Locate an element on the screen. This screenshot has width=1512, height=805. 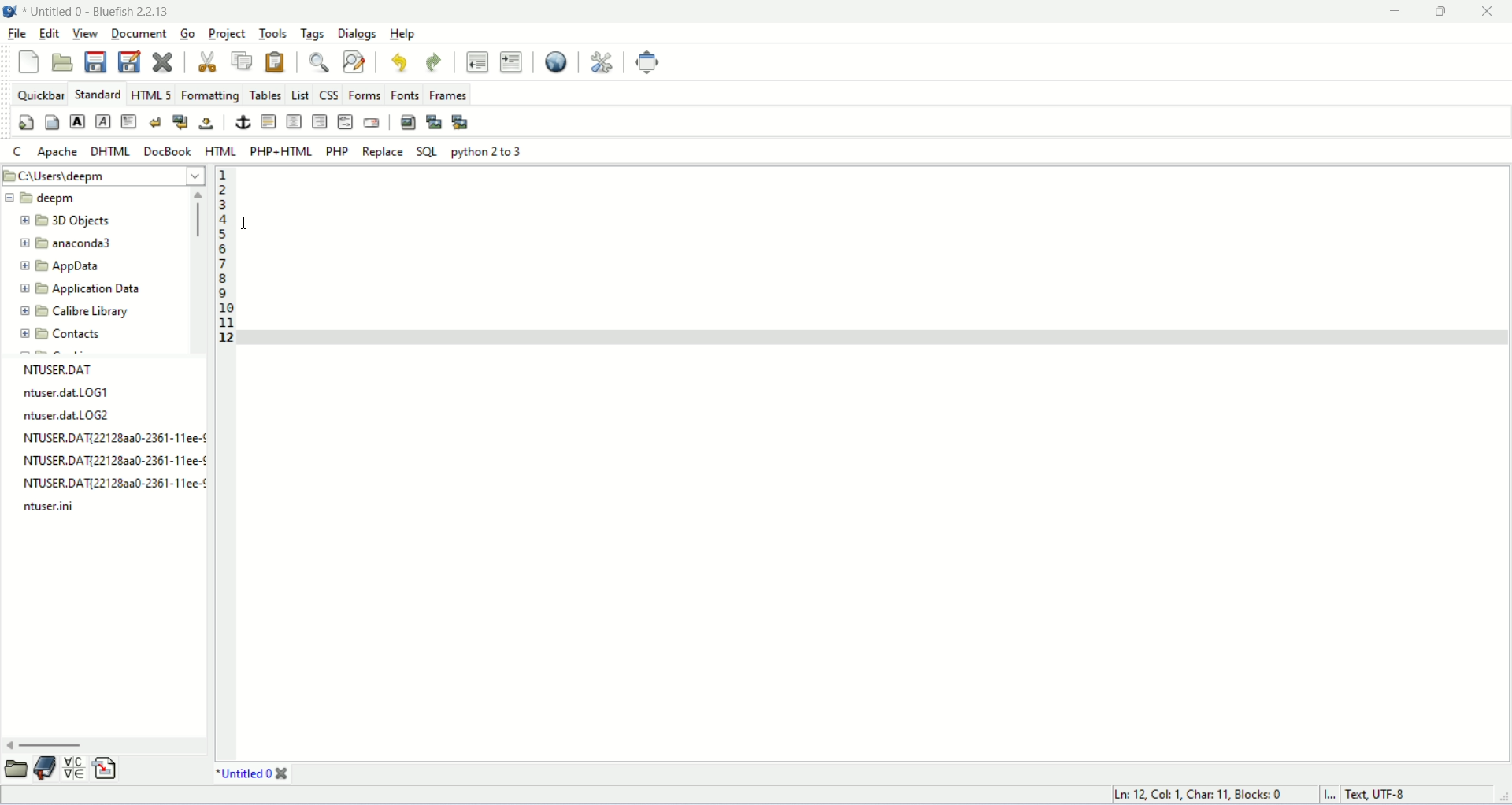
css is located at coordinates (328, 95).